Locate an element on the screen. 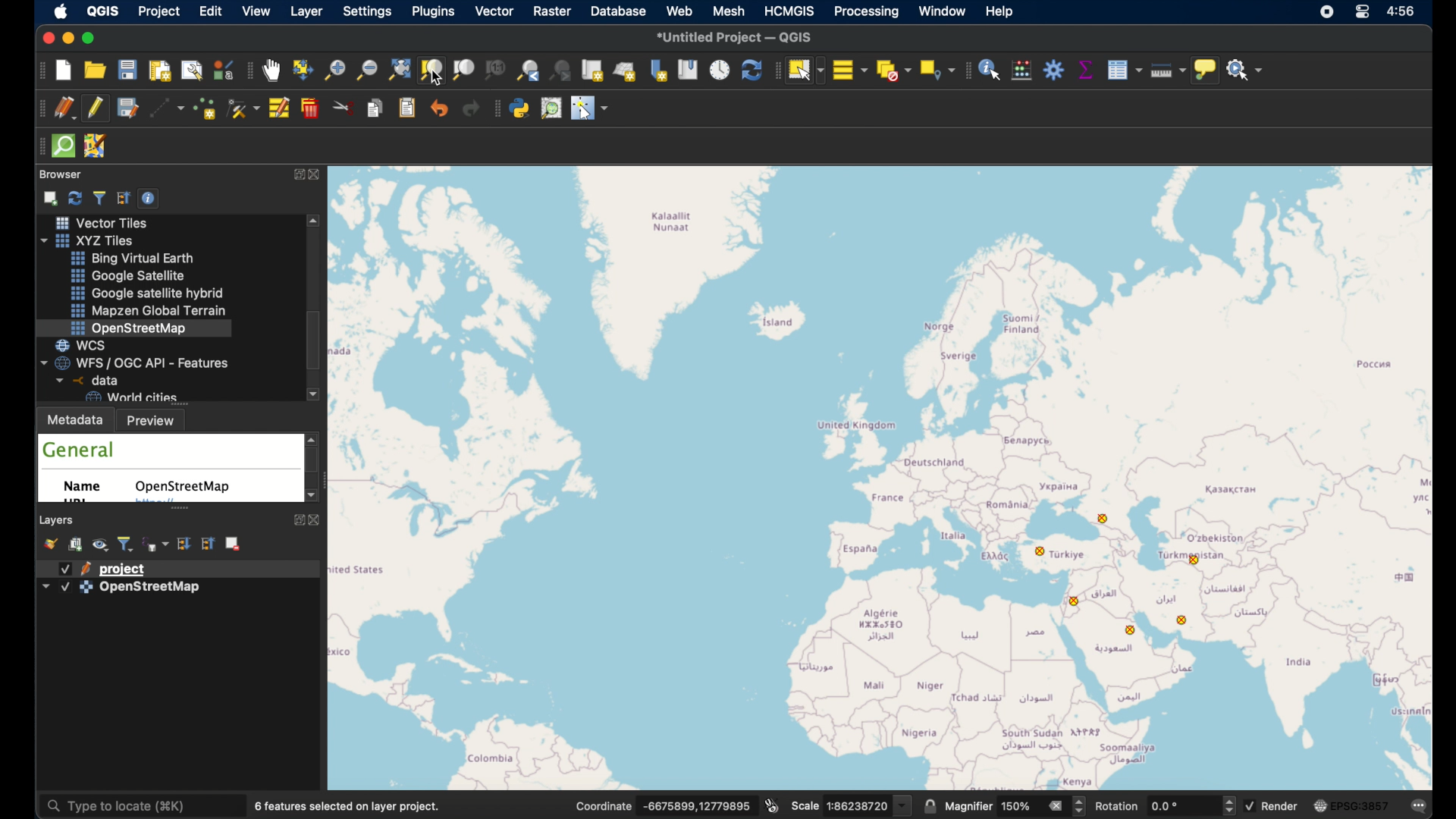 This screenshot has height=819, width=1456. undo is located at coordinates (439, 109).